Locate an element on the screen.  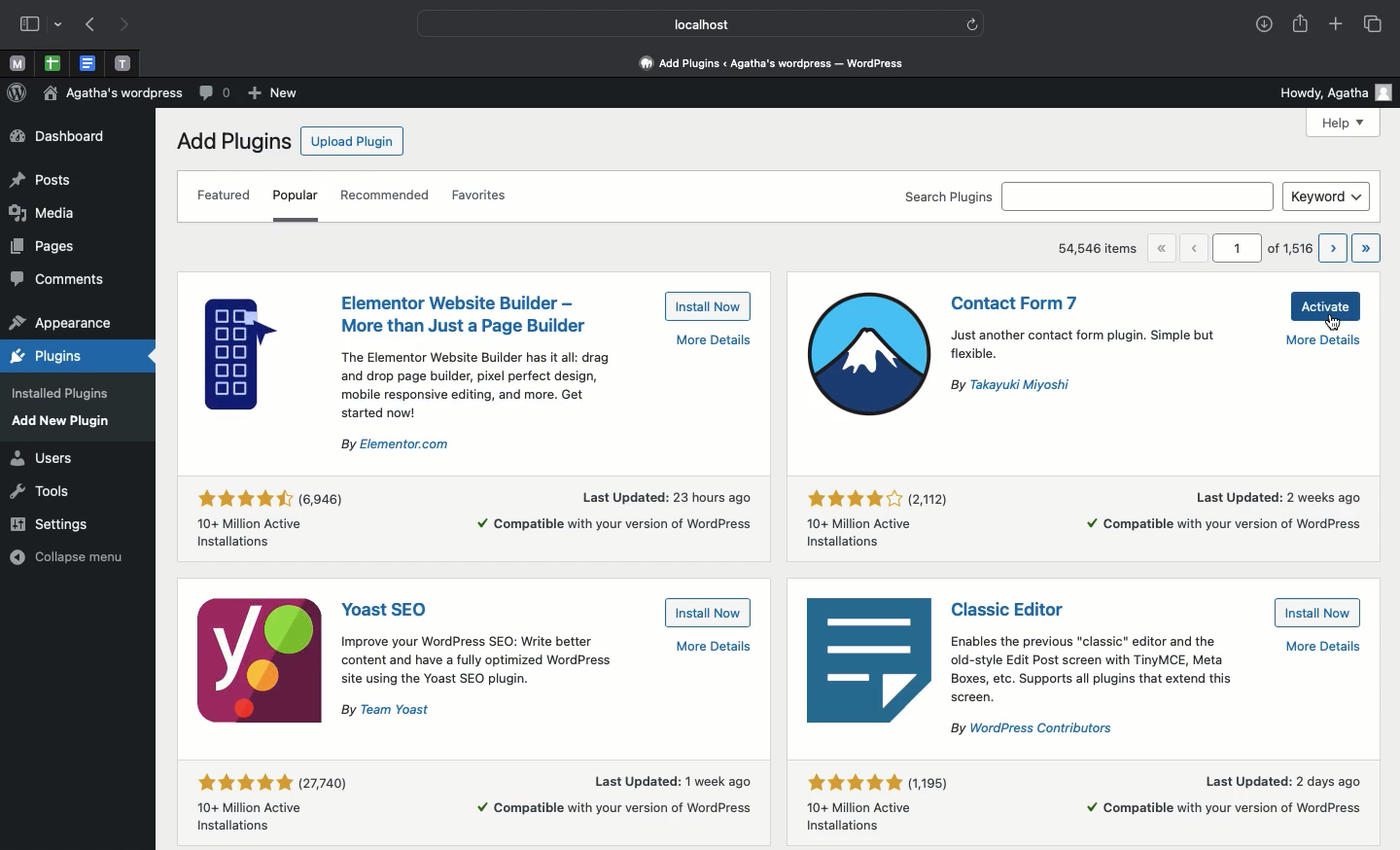
Dashboard is located at coordinates (66, 137).